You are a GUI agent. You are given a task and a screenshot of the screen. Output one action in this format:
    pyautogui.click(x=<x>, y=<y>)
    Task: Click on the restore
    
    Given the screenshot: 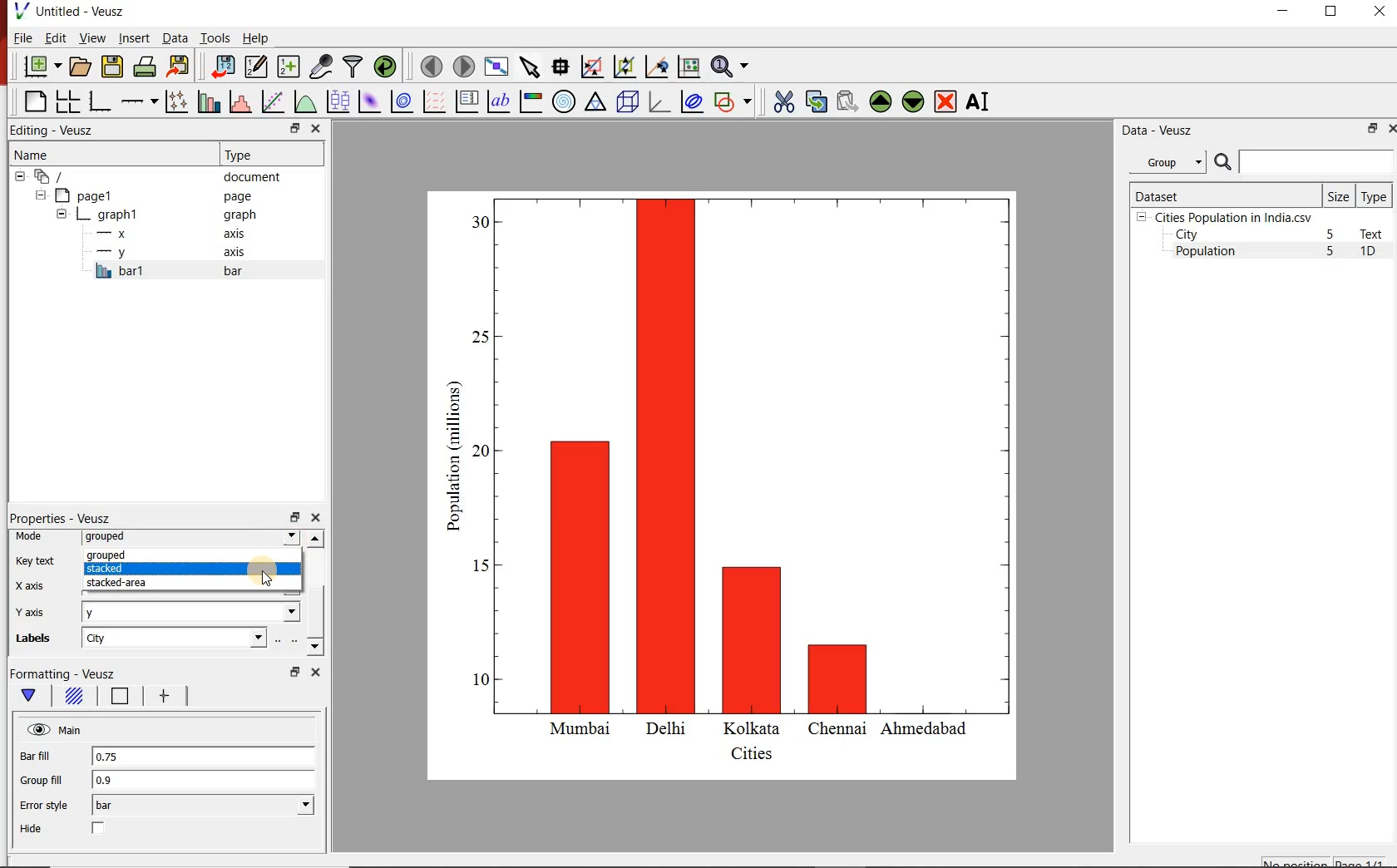 What is the action you would take?
    pyautogui.click(x=294, y=128)
    